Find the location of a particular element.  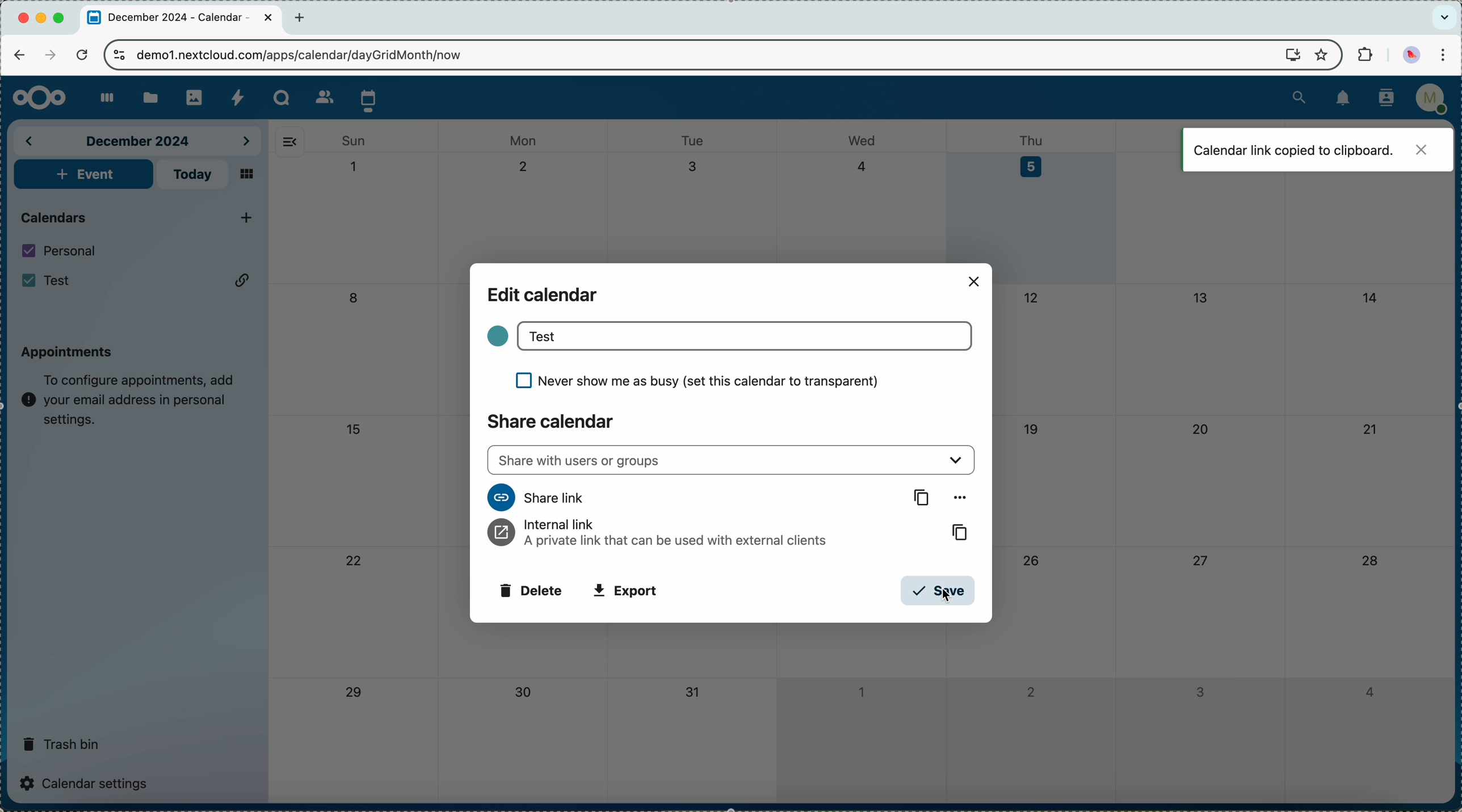

favorites is located at coordinates (1320, 54).